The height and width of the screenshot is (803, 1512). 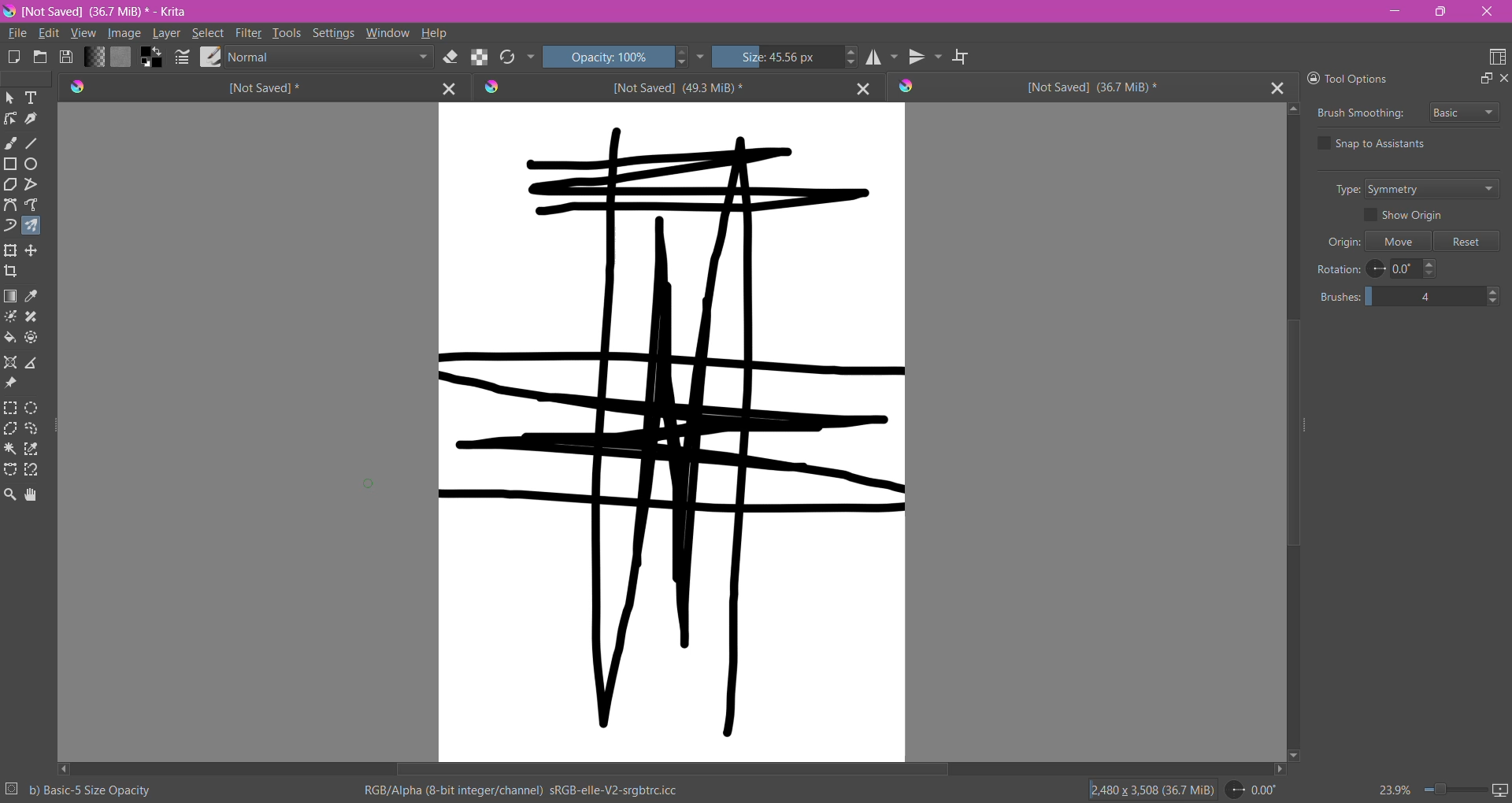 What do you see at coordinates (1440, 190) in the screenshot?
I see `Set Type` at bounding box center [1440, 190].